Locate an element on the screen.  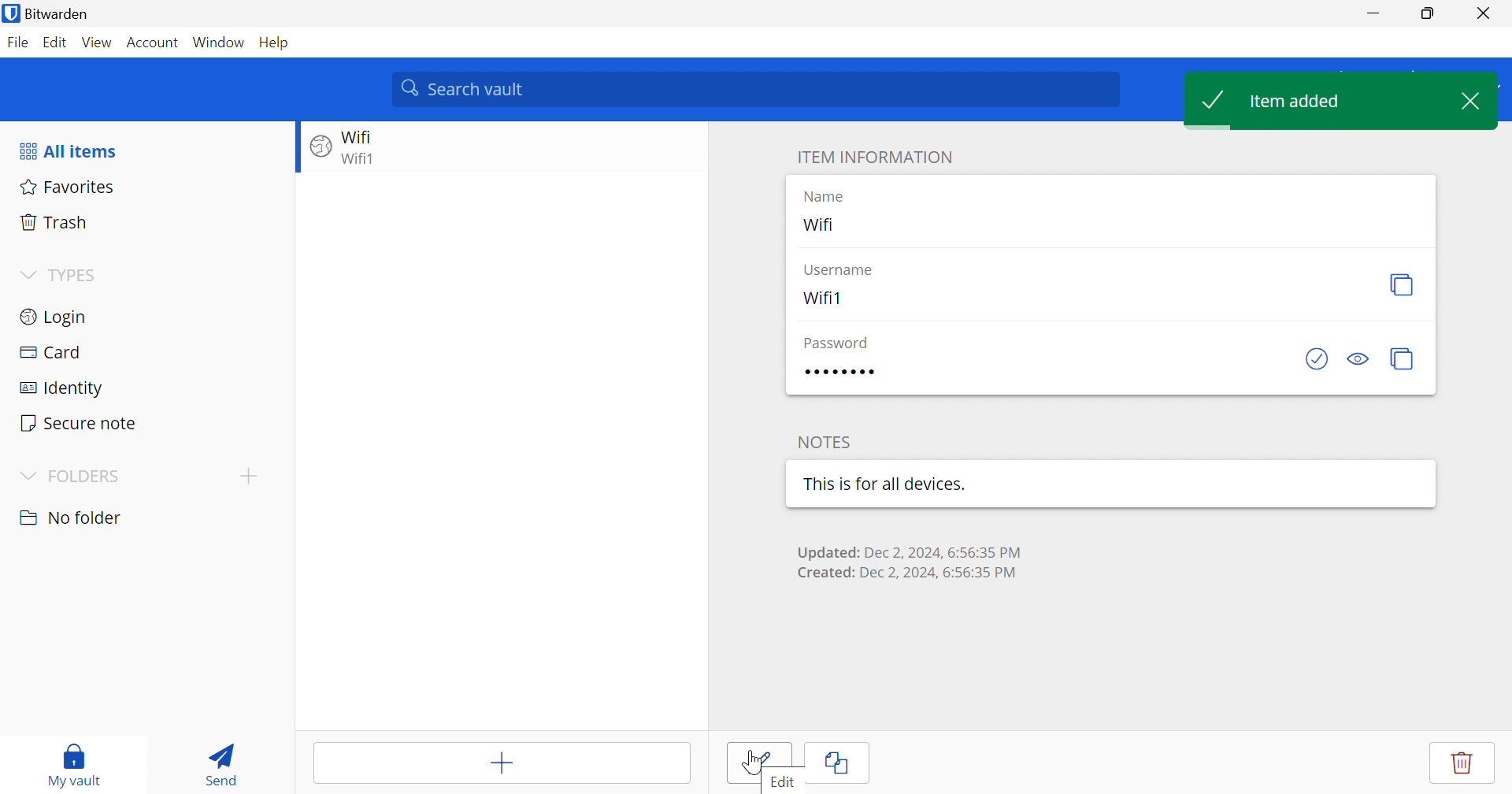
edit button is located at coordinates (758, 758).